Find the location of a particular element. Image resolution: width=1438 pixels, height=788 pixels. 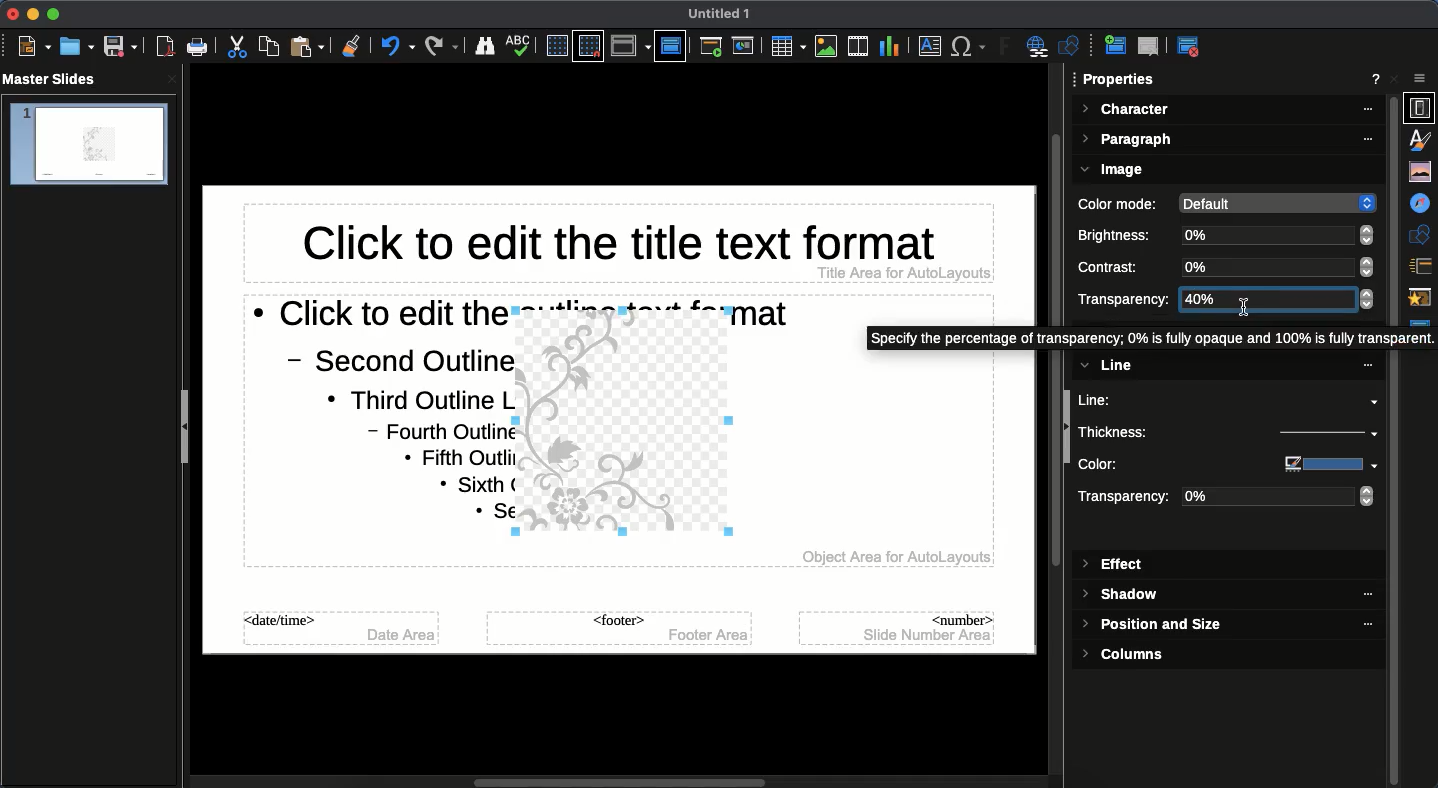

Minimize is located at coordinates (30, 14).